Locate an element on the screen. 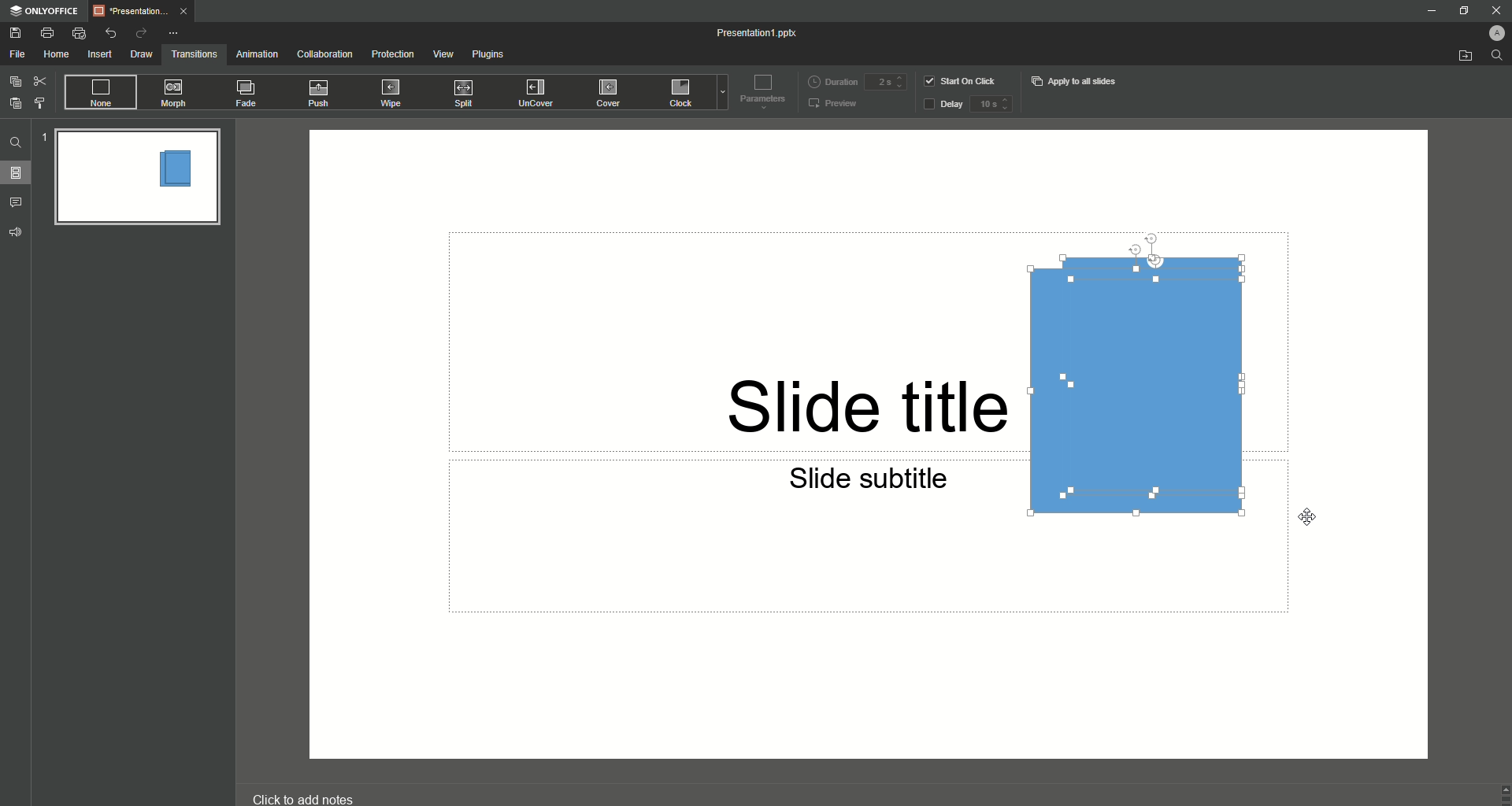 This screenshot has width=1512, height=806. Animation is located at coordinates (256, 54).